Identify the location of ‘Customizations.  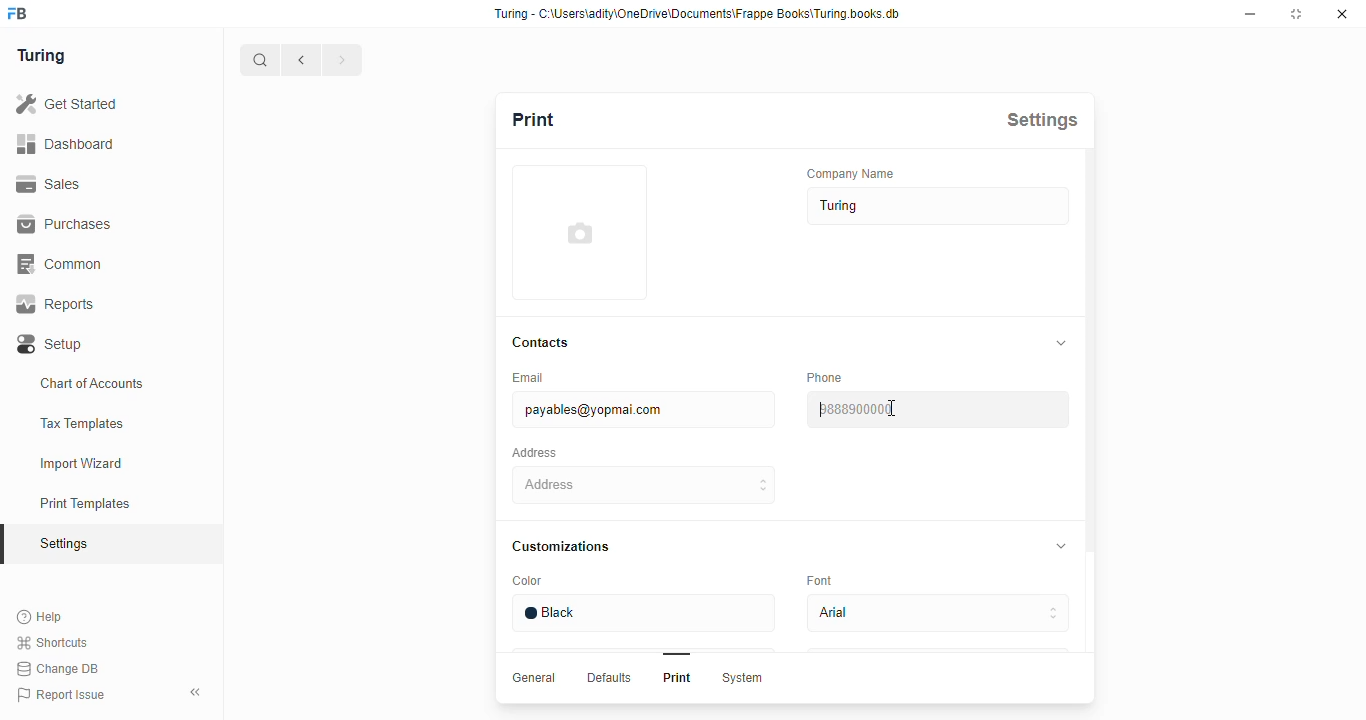
(565, 547).